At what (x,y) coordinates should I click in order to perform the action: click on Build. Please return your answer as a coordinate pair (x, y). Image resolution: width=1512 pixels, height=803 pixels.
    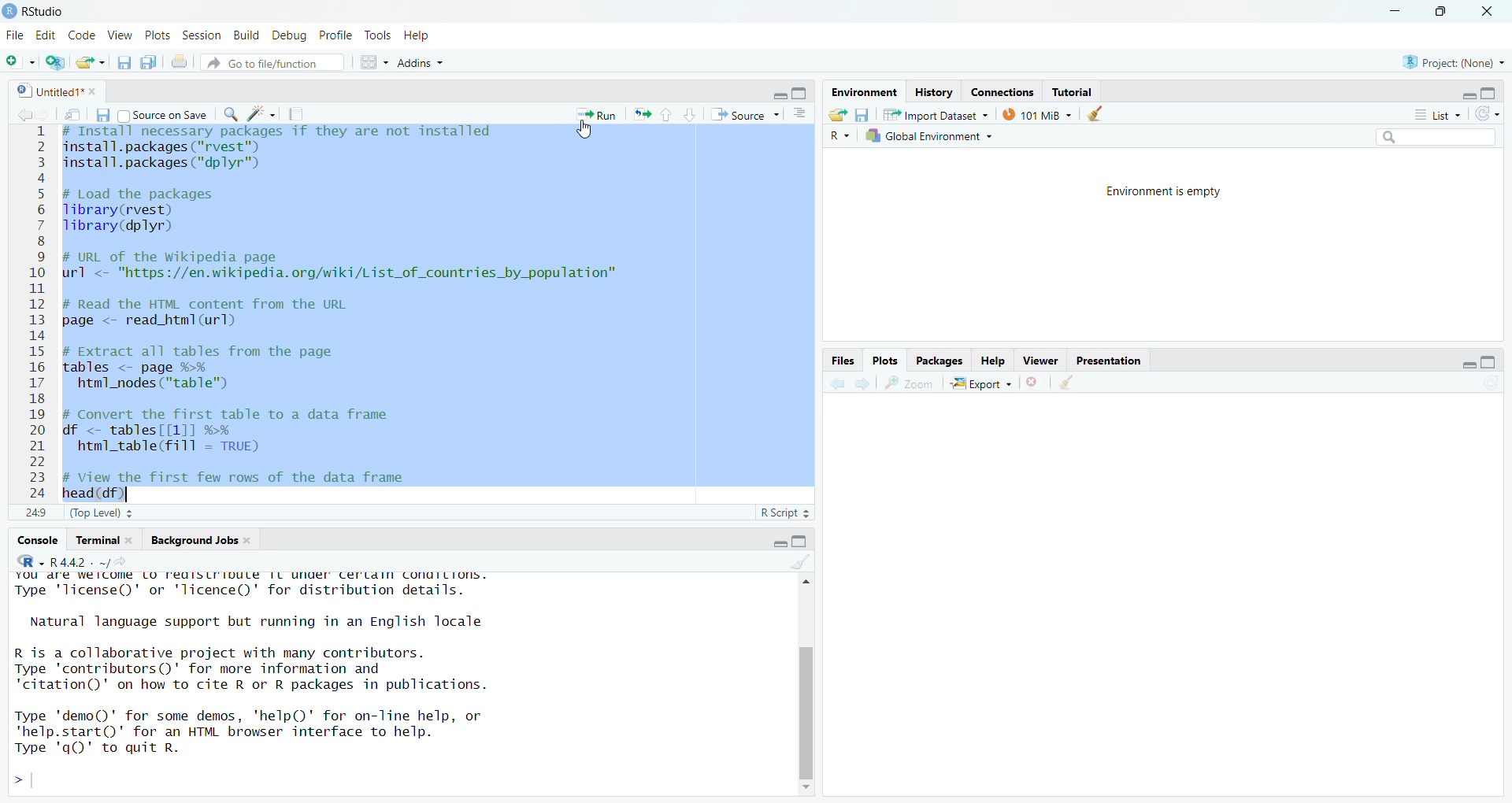
    Looking at the image, I should click on (248, 36).